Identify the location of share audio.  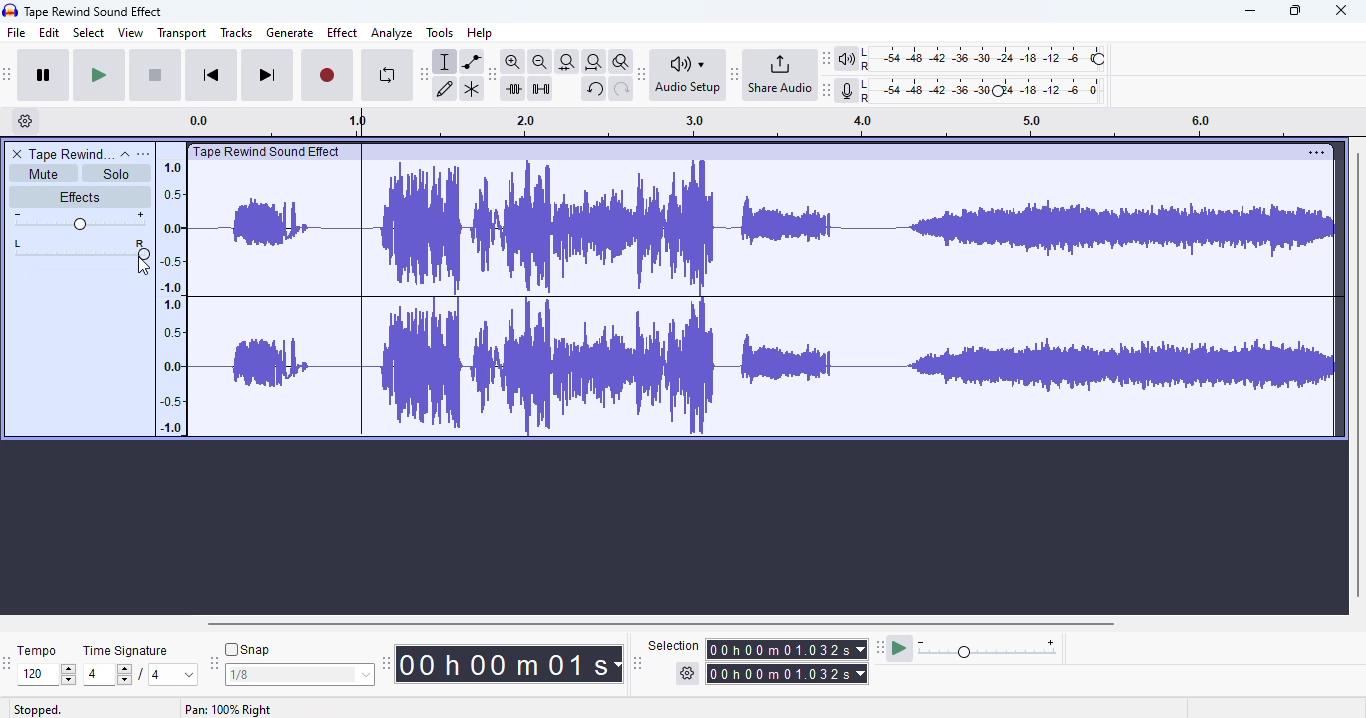
(779, 73).